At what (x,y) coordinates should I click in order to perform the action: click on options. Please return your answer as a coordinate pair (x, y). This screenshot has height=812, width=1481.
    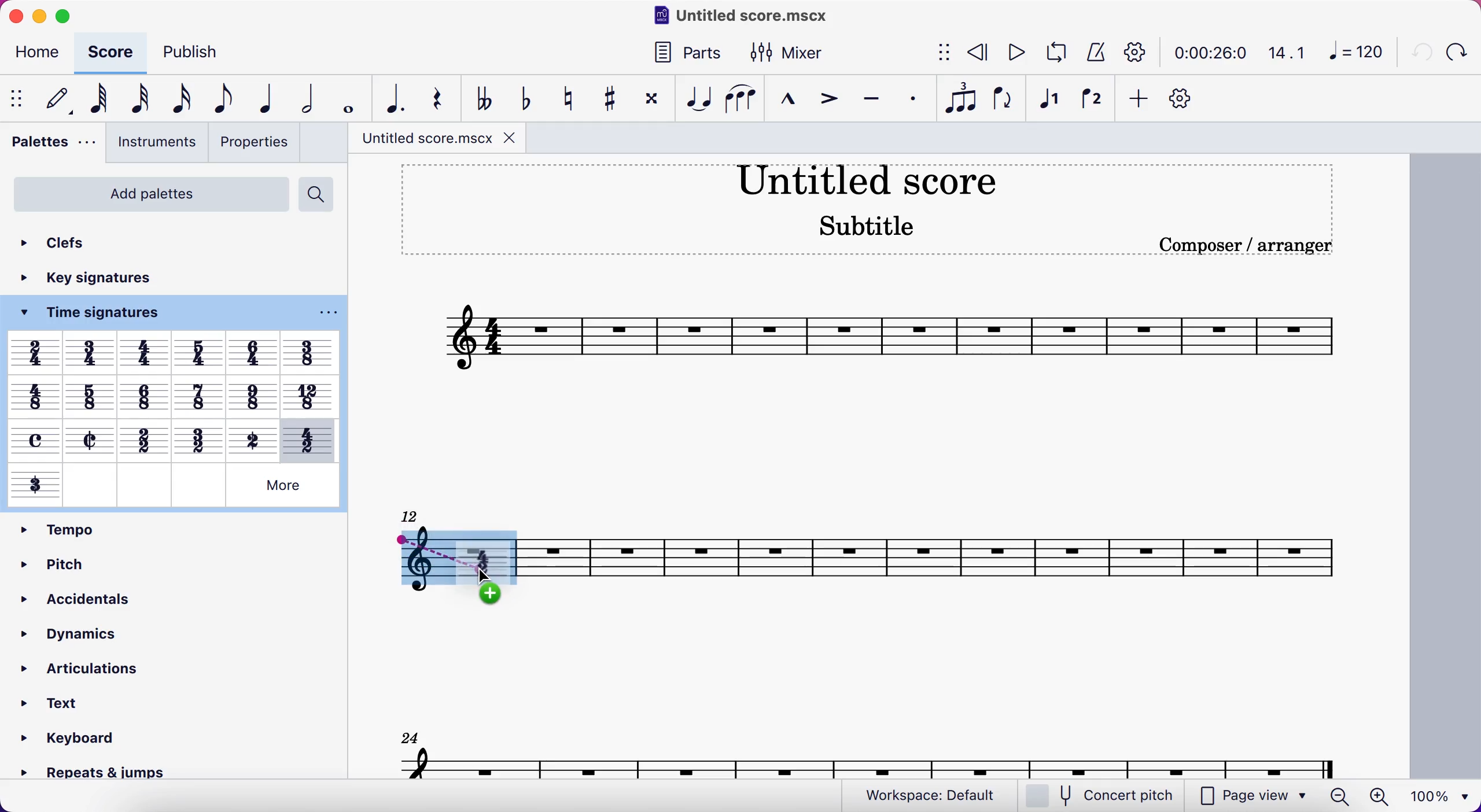
    Looking at the image, I should click on (323, 313).